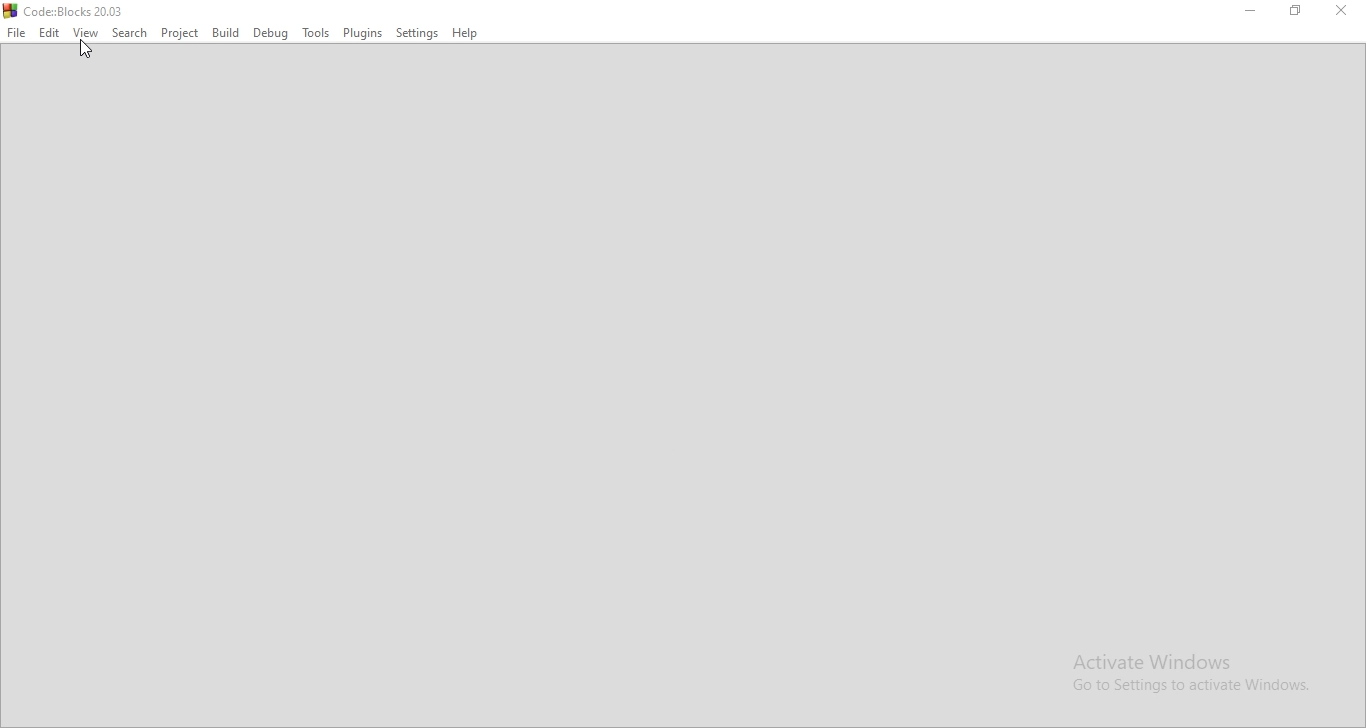  I want to click on View , so click(86, 32).